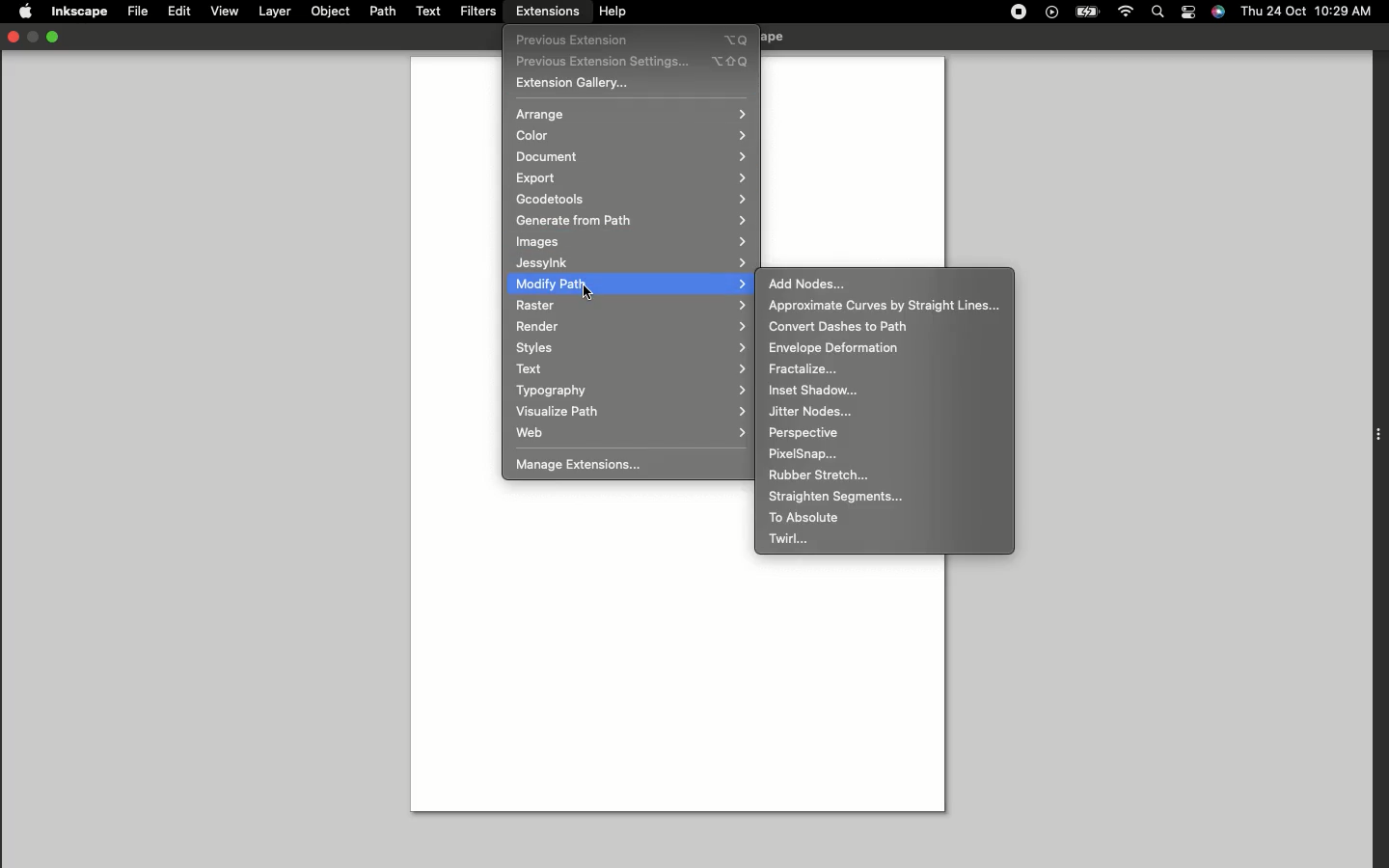 The width and height of the screenshot is (1389, 868). Describe the element at coordinates (630, 265) in the screenshot. I see `Jessylnk` at that location.